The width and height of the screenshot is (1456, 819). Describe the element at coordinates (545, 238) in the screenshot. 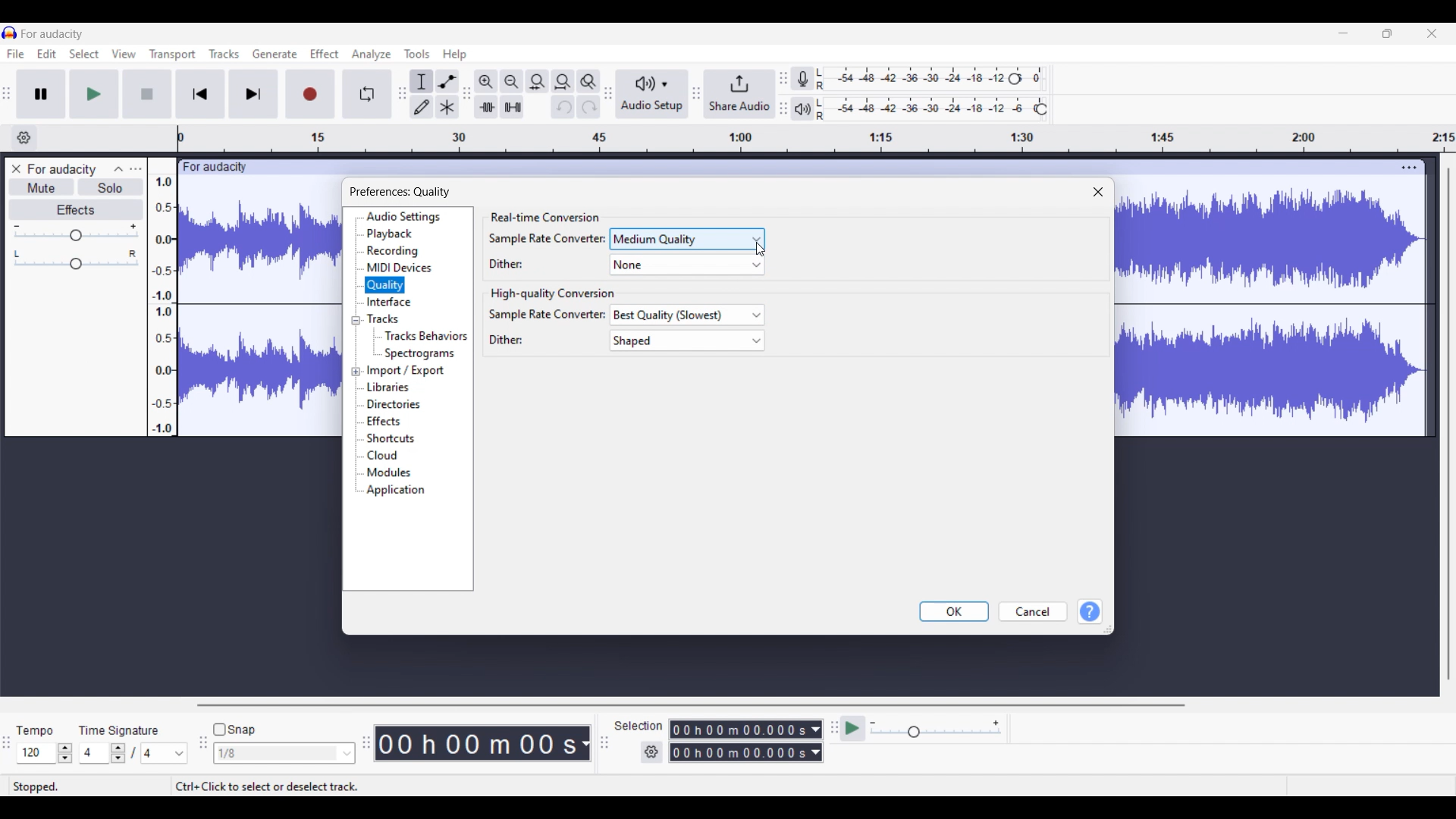

I see `sample rate convertor` at that location.